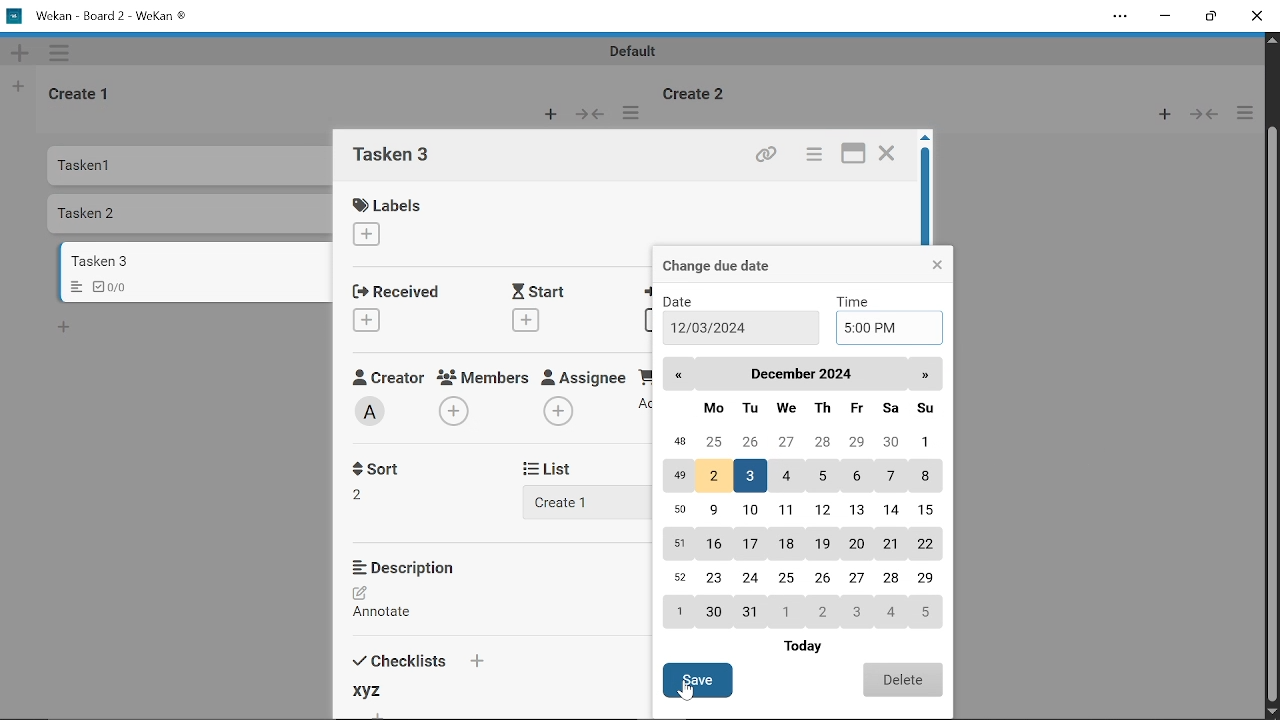 The image size is (1280, 720). Describe the element at coordinates (63, 328) in the screenshot. I see `Add card bottom to the list` at that location.